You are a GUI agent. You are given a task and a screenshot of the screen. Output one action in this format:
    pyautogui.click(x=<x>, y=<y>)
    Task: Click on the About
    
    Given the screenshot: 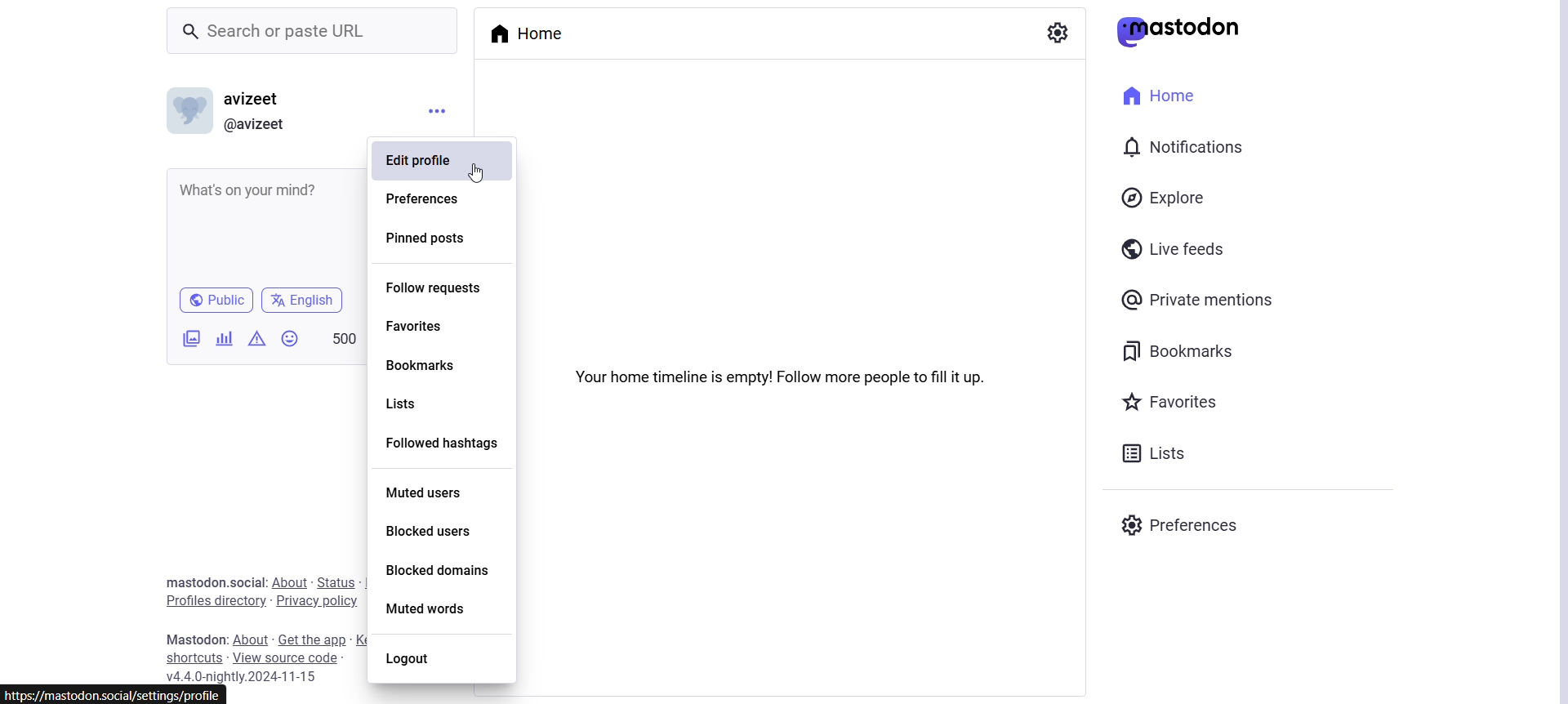 What is the action you would take?
    pyautogui.click(x=292, y=582)
    